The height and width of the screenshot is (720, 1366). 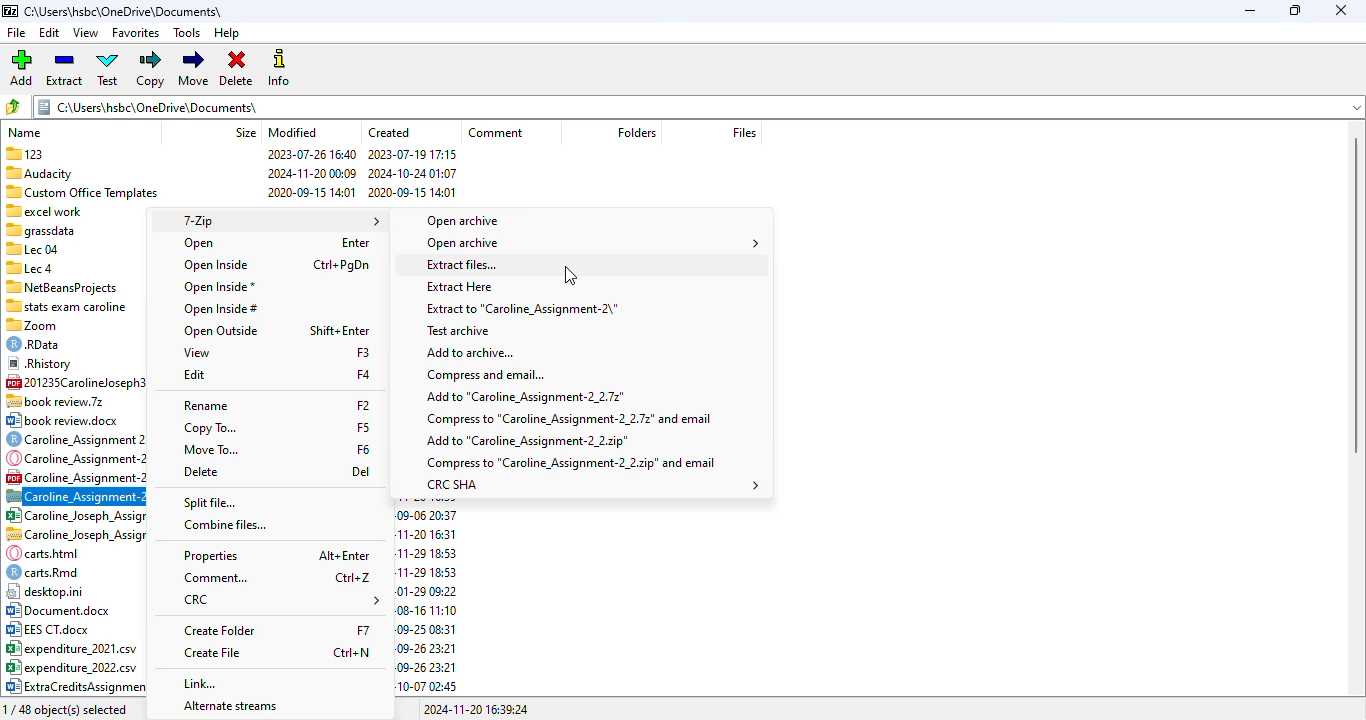 What do you see at coordinates (74, 535) in the screenshot?
I see ` Caroline_Joseph_Assign... 92731 2024-11-20 16:31 2024-11-20 16:31` at bounding box center [74, 535].